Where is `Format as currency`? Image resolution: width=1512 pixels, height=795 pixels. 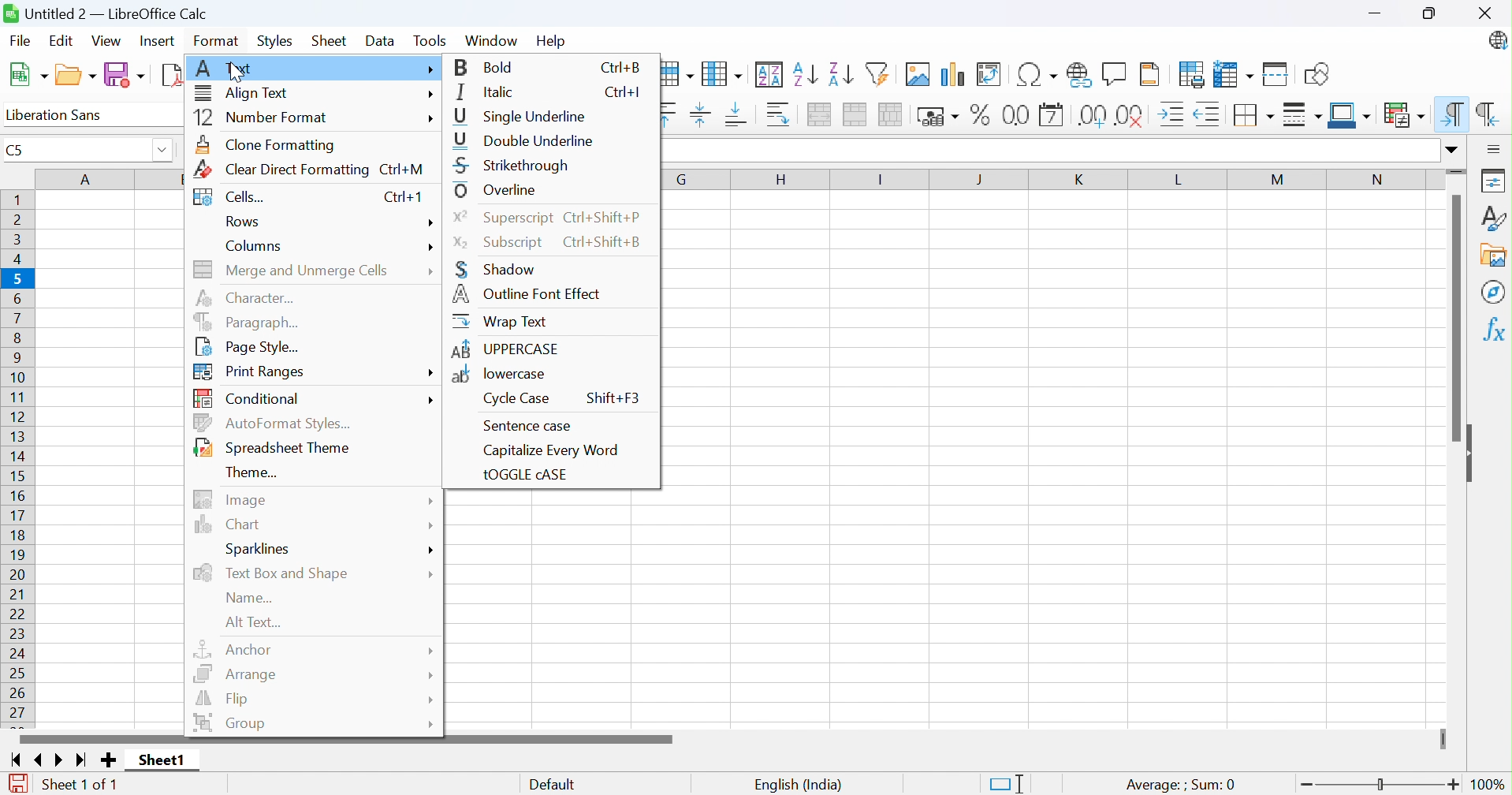
Format as currency is located at coordinates (939, 118).